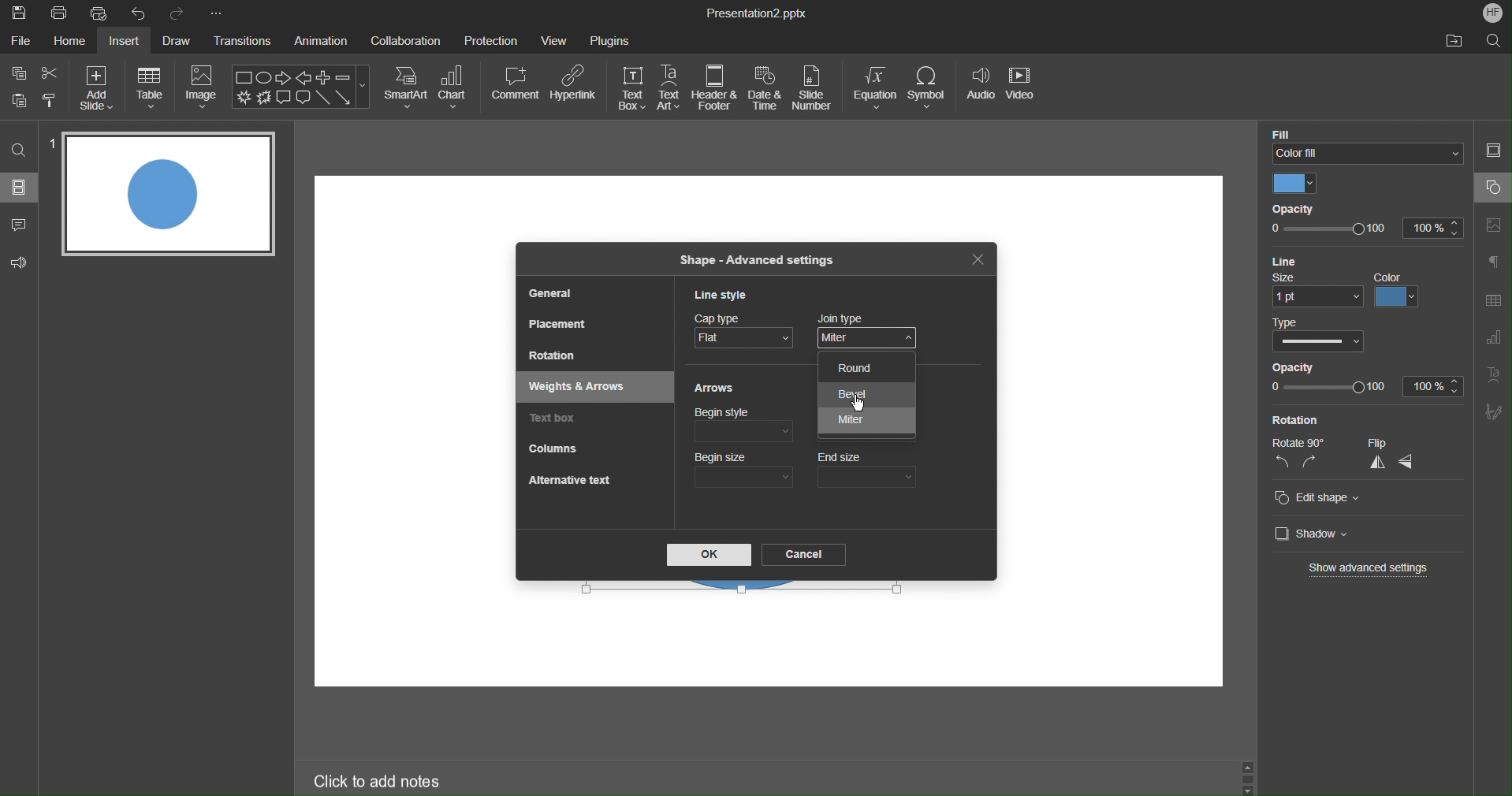 The height and width of the screenshot is (796, 1512). What do you see at coordinates (857, 407) in the screenshot?
I see `Cursor` at bounding box center [857, 407].